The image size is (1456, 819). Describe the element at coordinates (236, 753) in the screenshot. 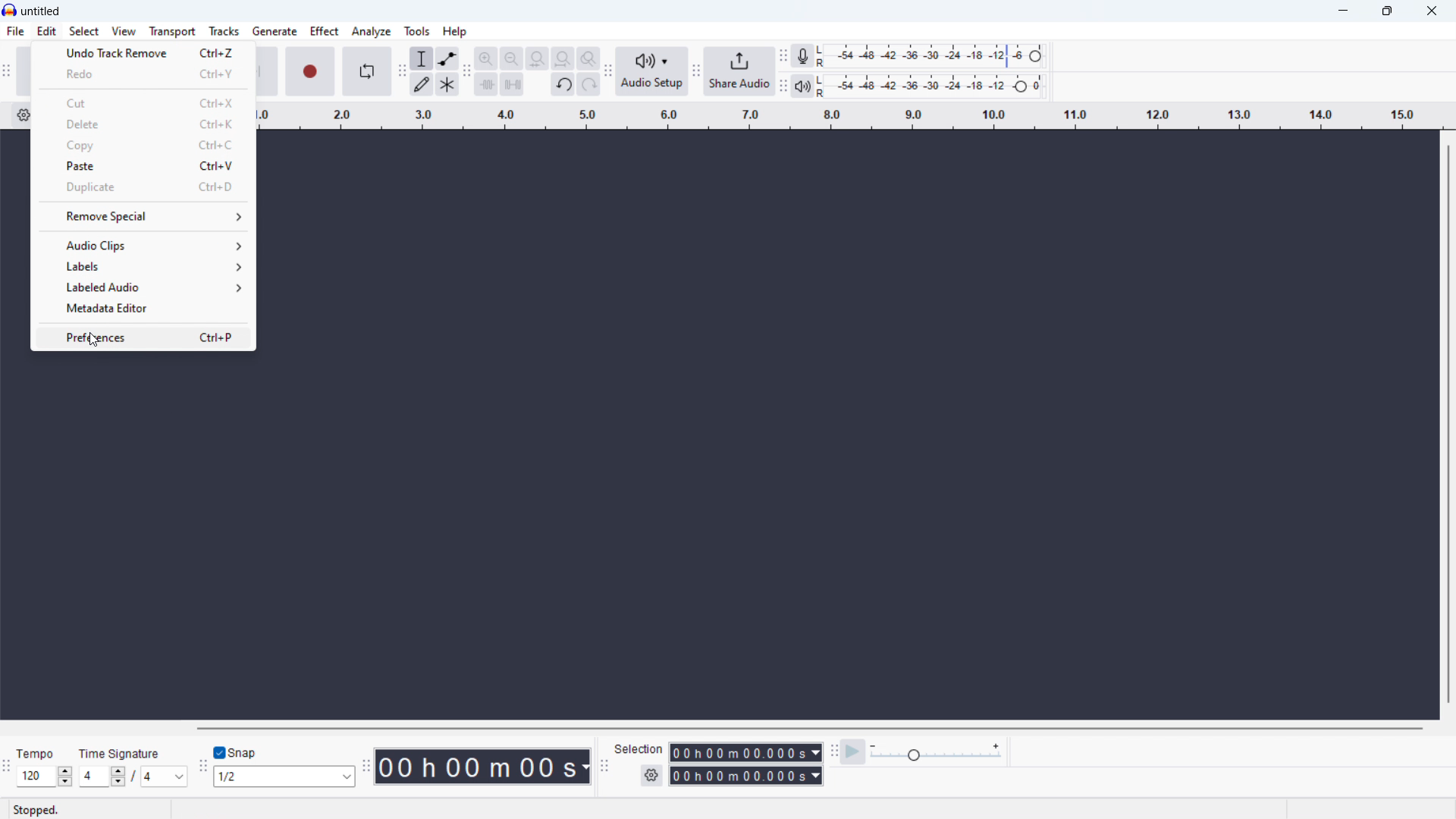

I see `toggle snap` at that location.